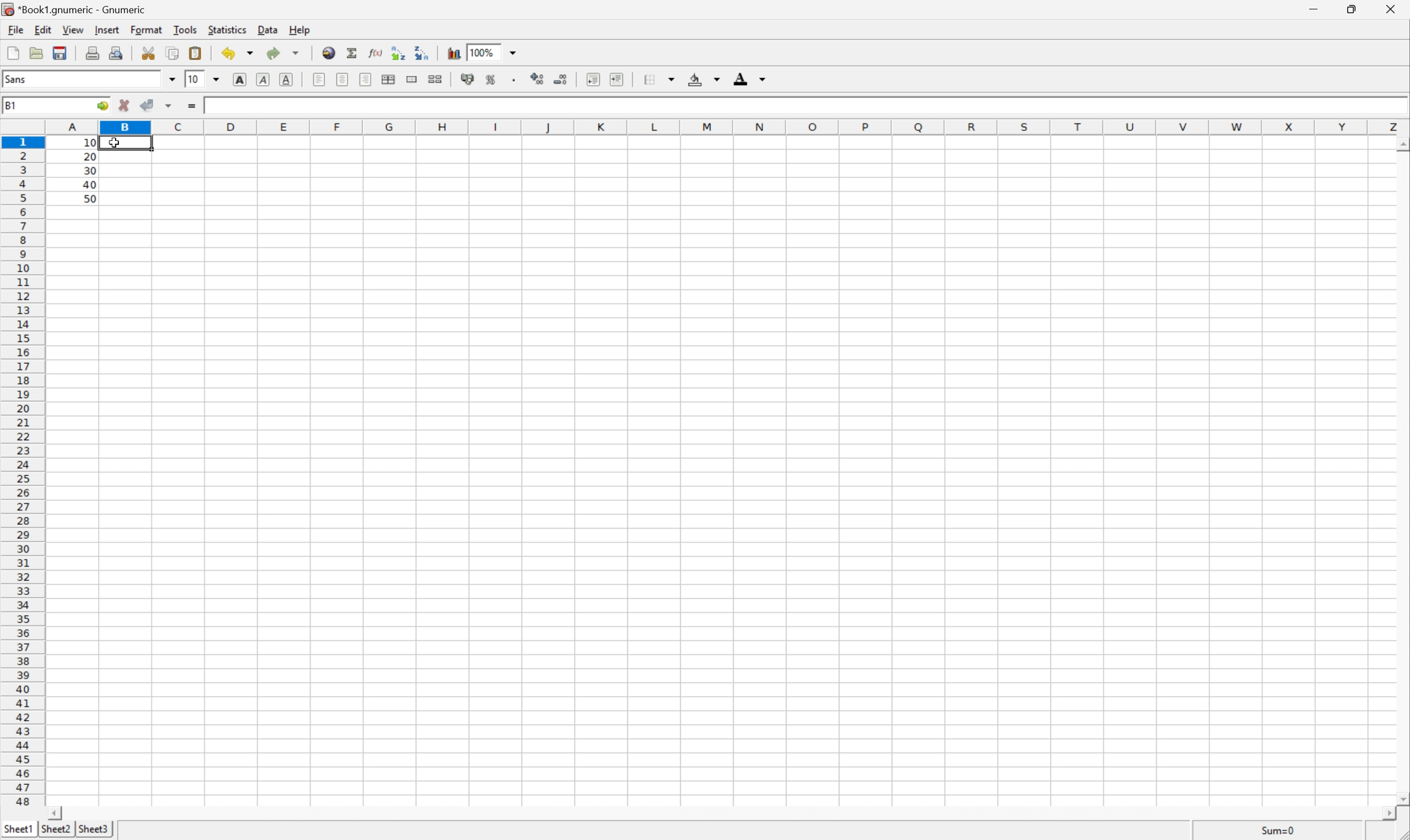 The width and height of the screenshot is (1410, 840). Describe the element at coordinates (1401, 144) in the screenshot. I see `Scroll Up` at that location.